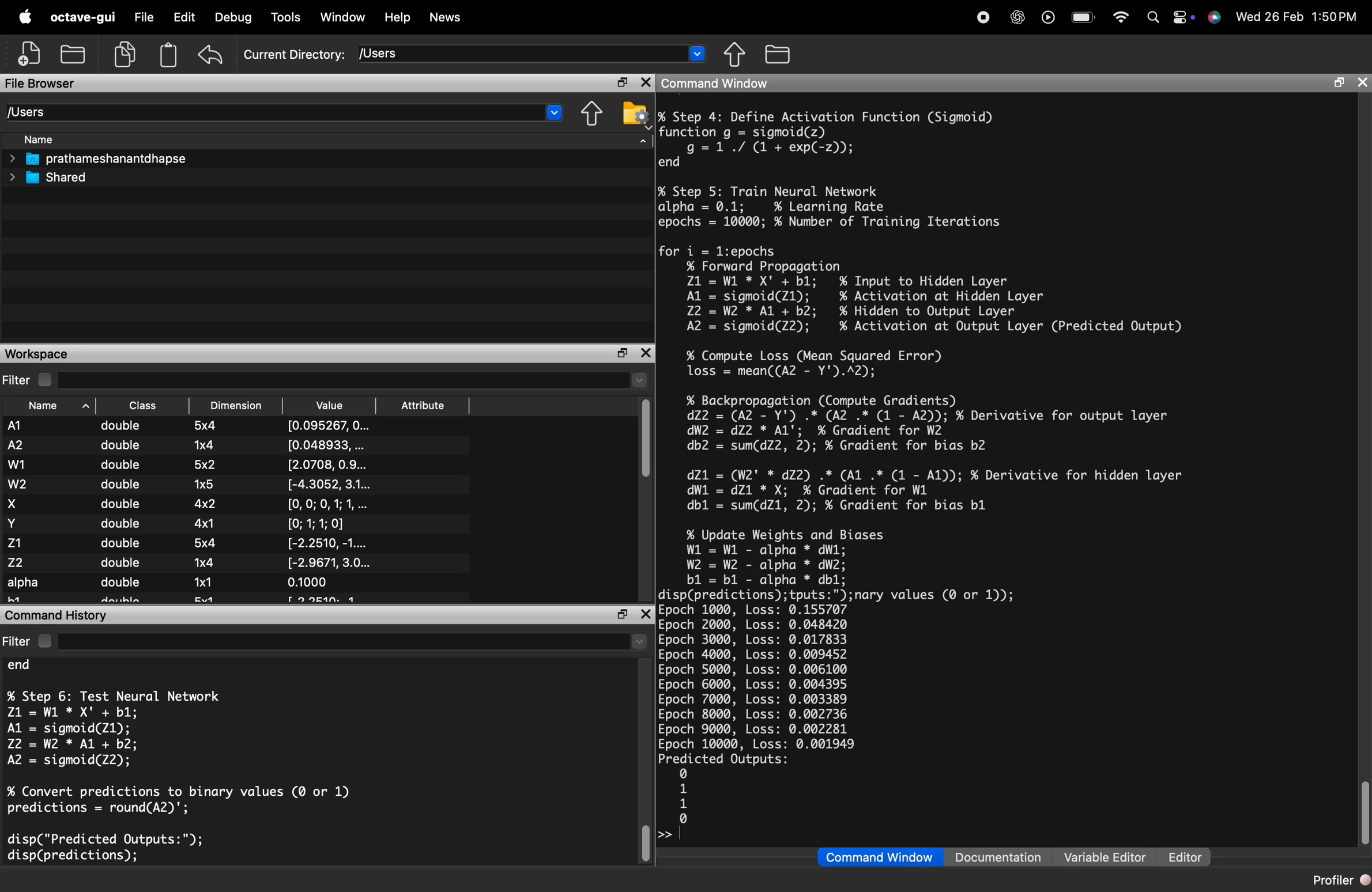 This screenshot has height=892, width=1372. Describe the element at coordinates (211, 54) in the screenshot. I see `Undo` at that location.